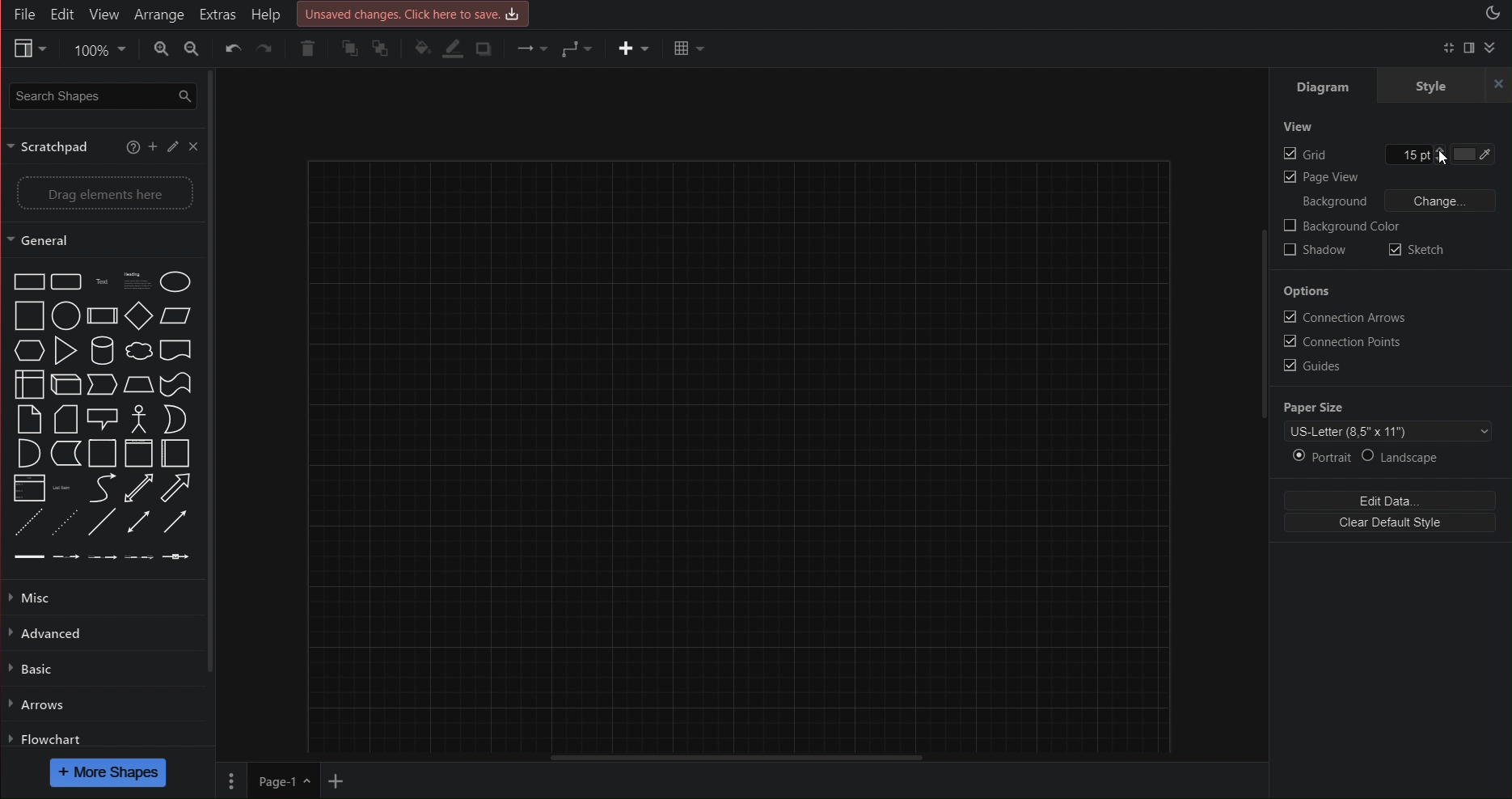 This screenshot has width=1512, height=799. What do you see at coordinates (65, 14) in the screenshot?
I see `Edit` at bounding box center [65, 14].